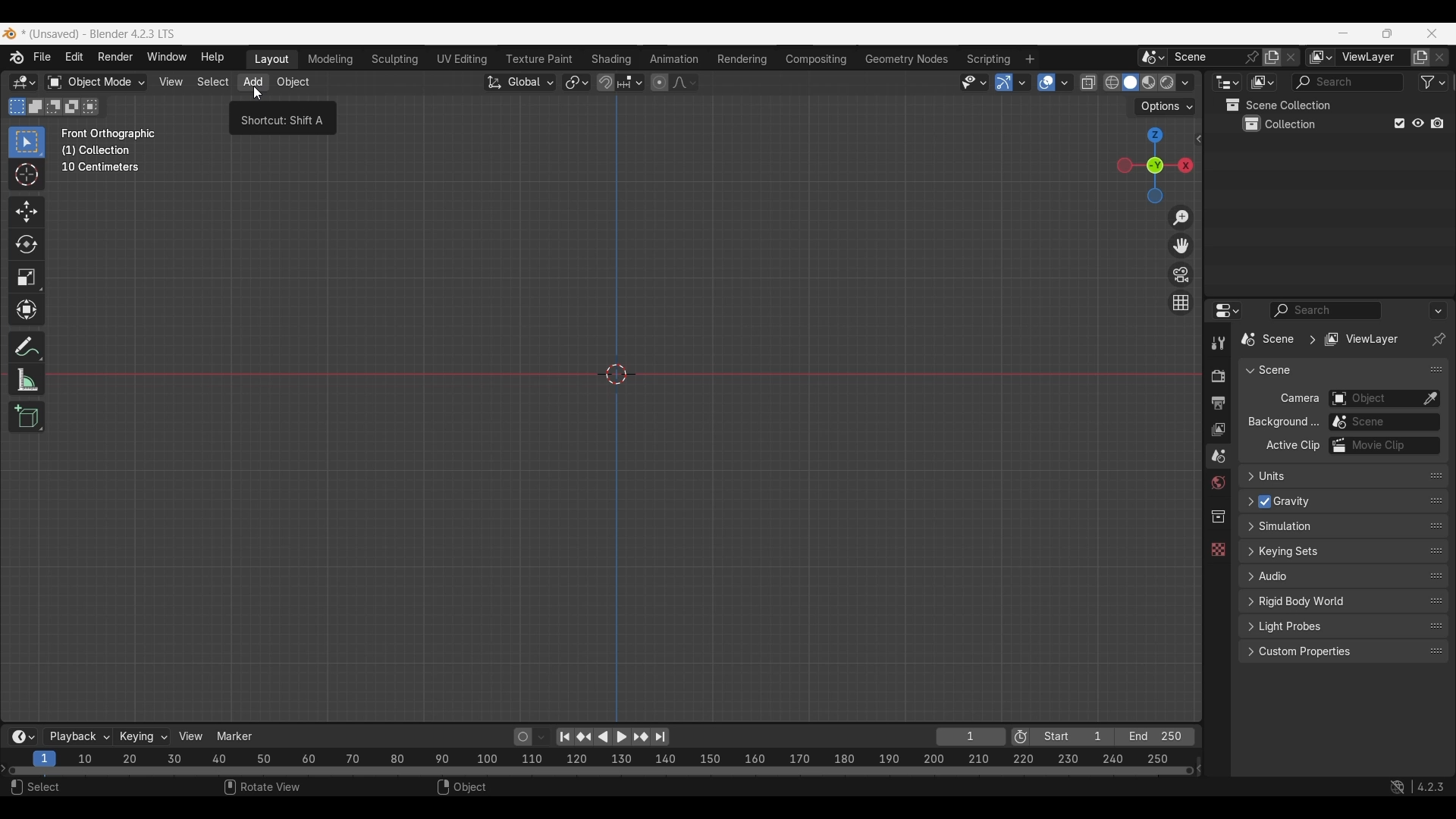 The image size is (1456, 819). I want to click on Frames timeline slider, so click(600, 772).